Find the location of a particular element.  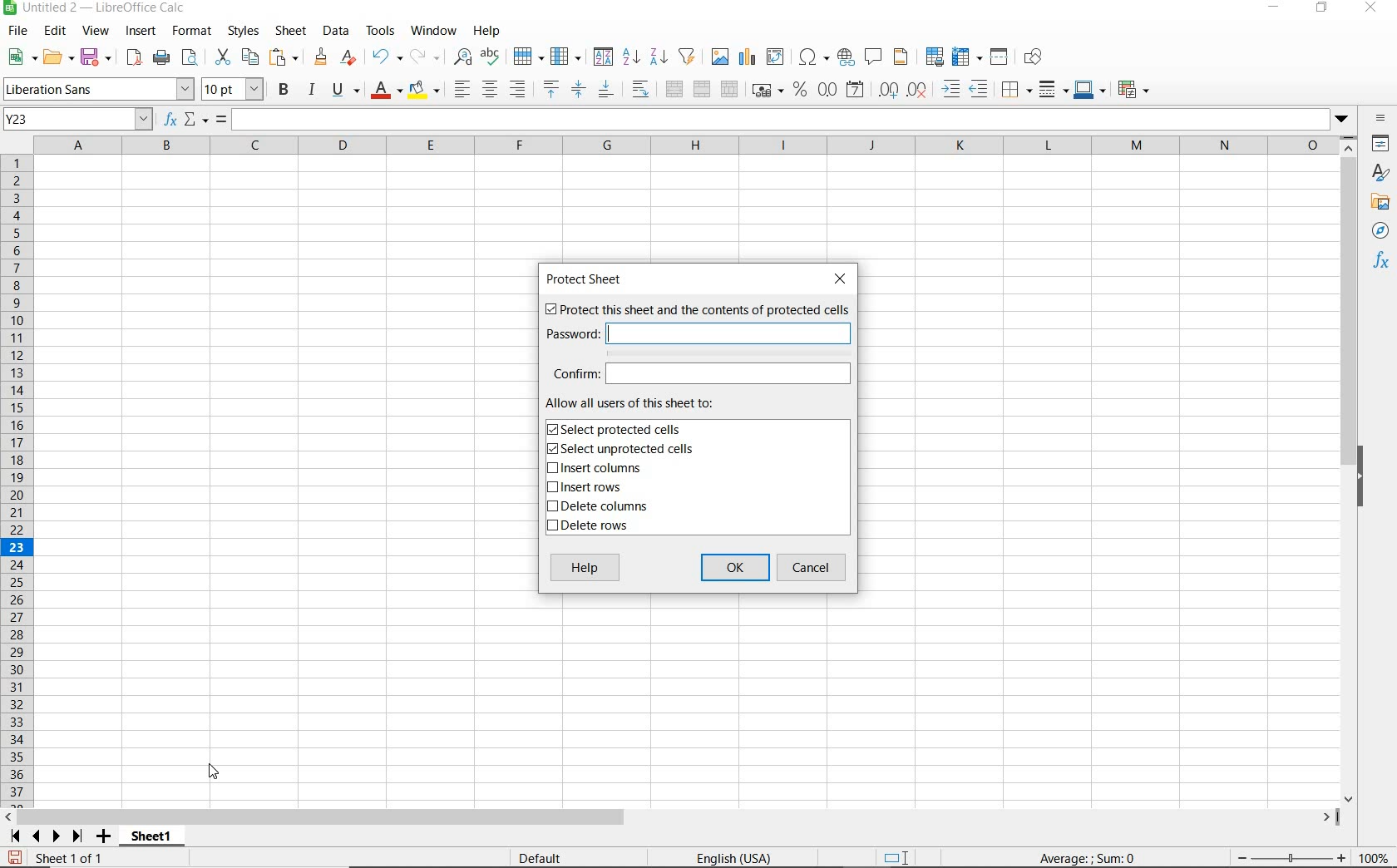

BORDER COLOR is located at coordinates (1088, 89).